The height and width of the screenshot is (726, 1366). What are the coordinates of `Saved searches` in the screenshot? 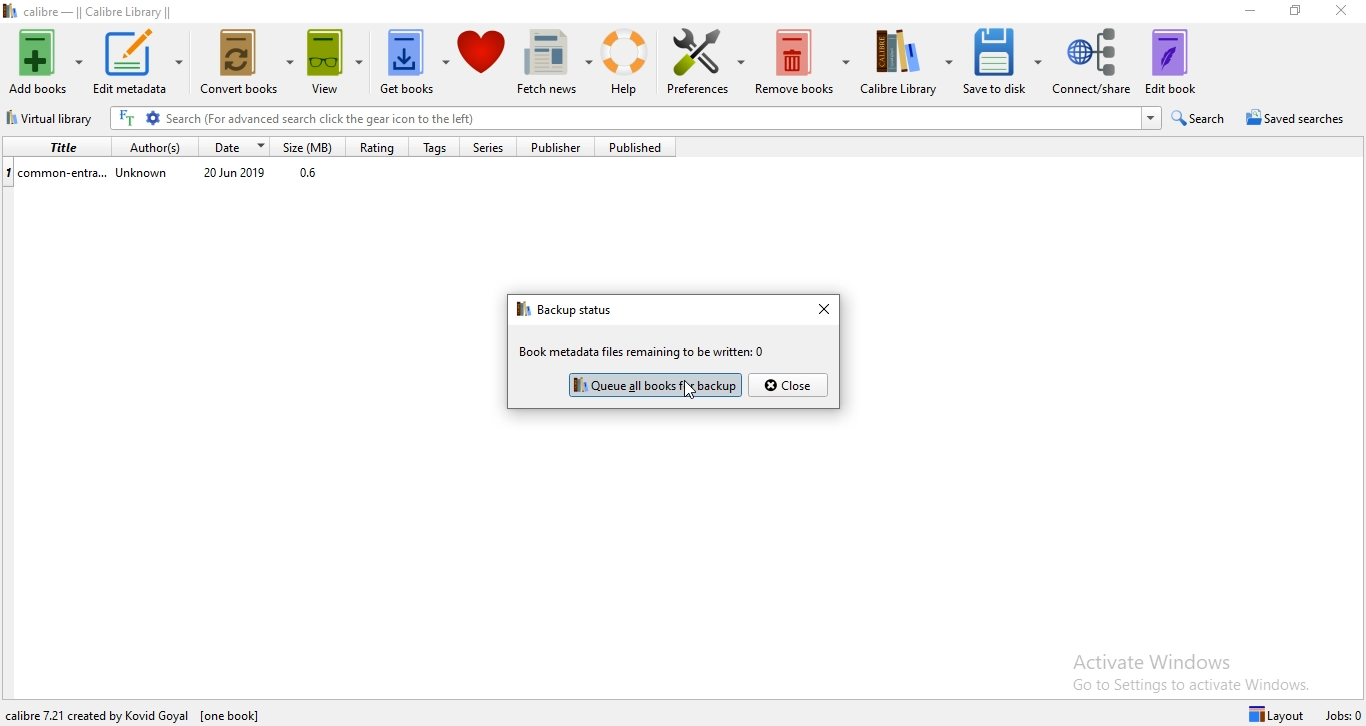 It's located at (1300, 119).